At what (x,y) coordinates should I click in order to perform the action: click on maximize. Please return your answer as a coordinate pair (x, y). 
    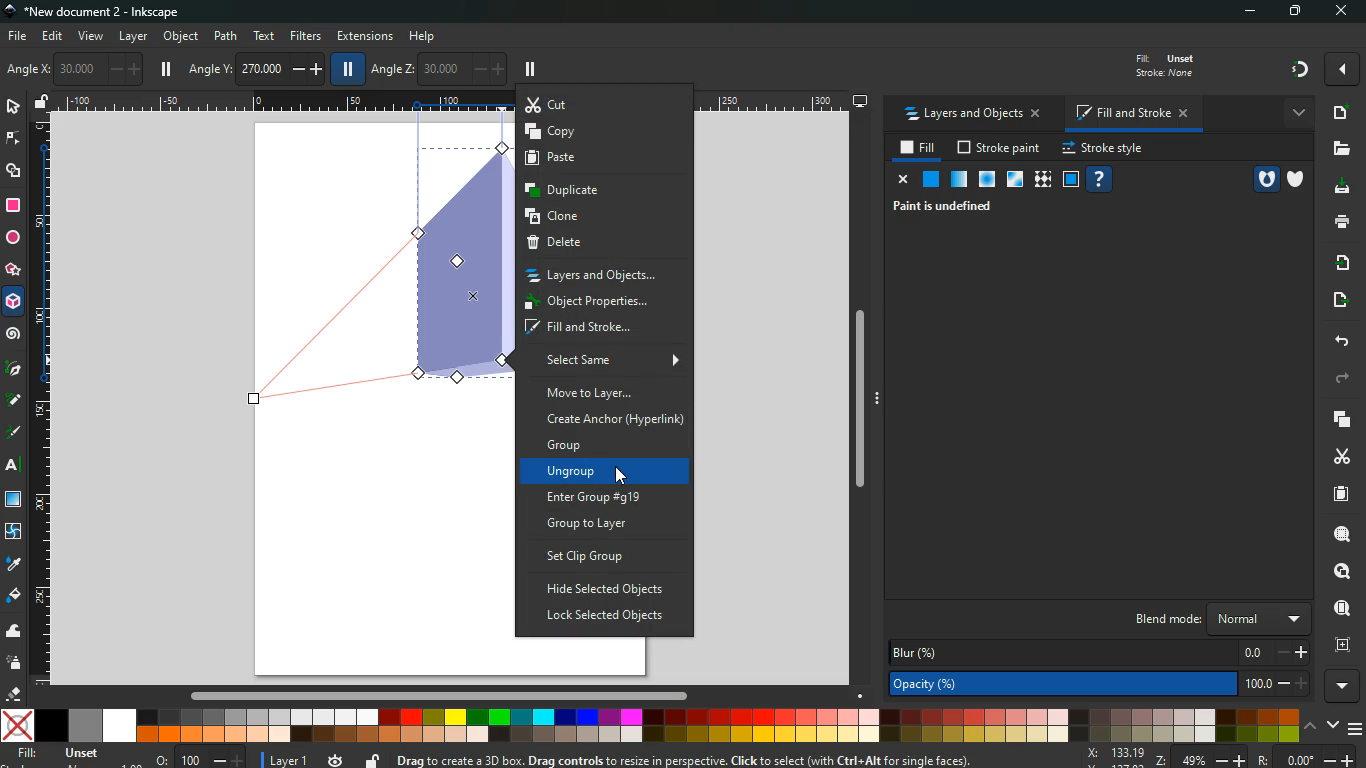
    Looking at the image, I should click on (1298, 12).